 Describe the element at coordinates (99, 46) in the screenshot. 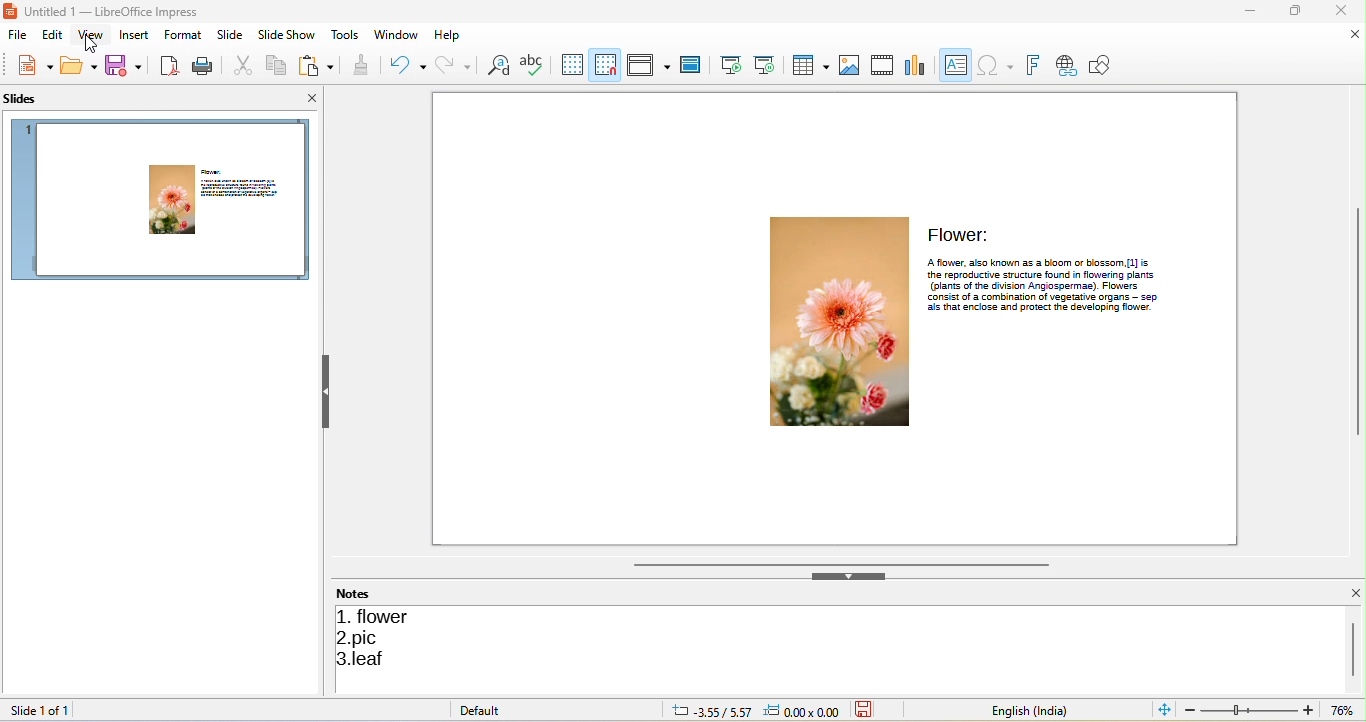

I see `cursor` at that location.